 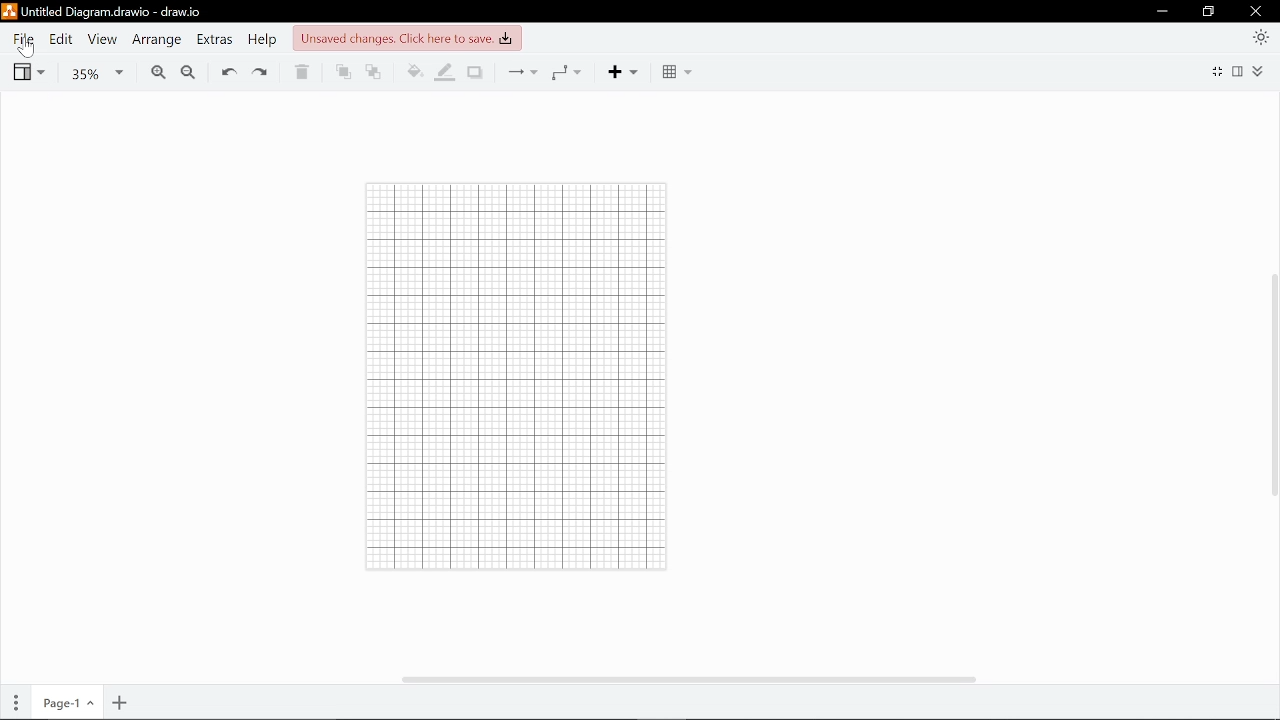 What do you see at coordinates (678, 72) in the screenshot?
I see `table` at bounding box center [678, 72].